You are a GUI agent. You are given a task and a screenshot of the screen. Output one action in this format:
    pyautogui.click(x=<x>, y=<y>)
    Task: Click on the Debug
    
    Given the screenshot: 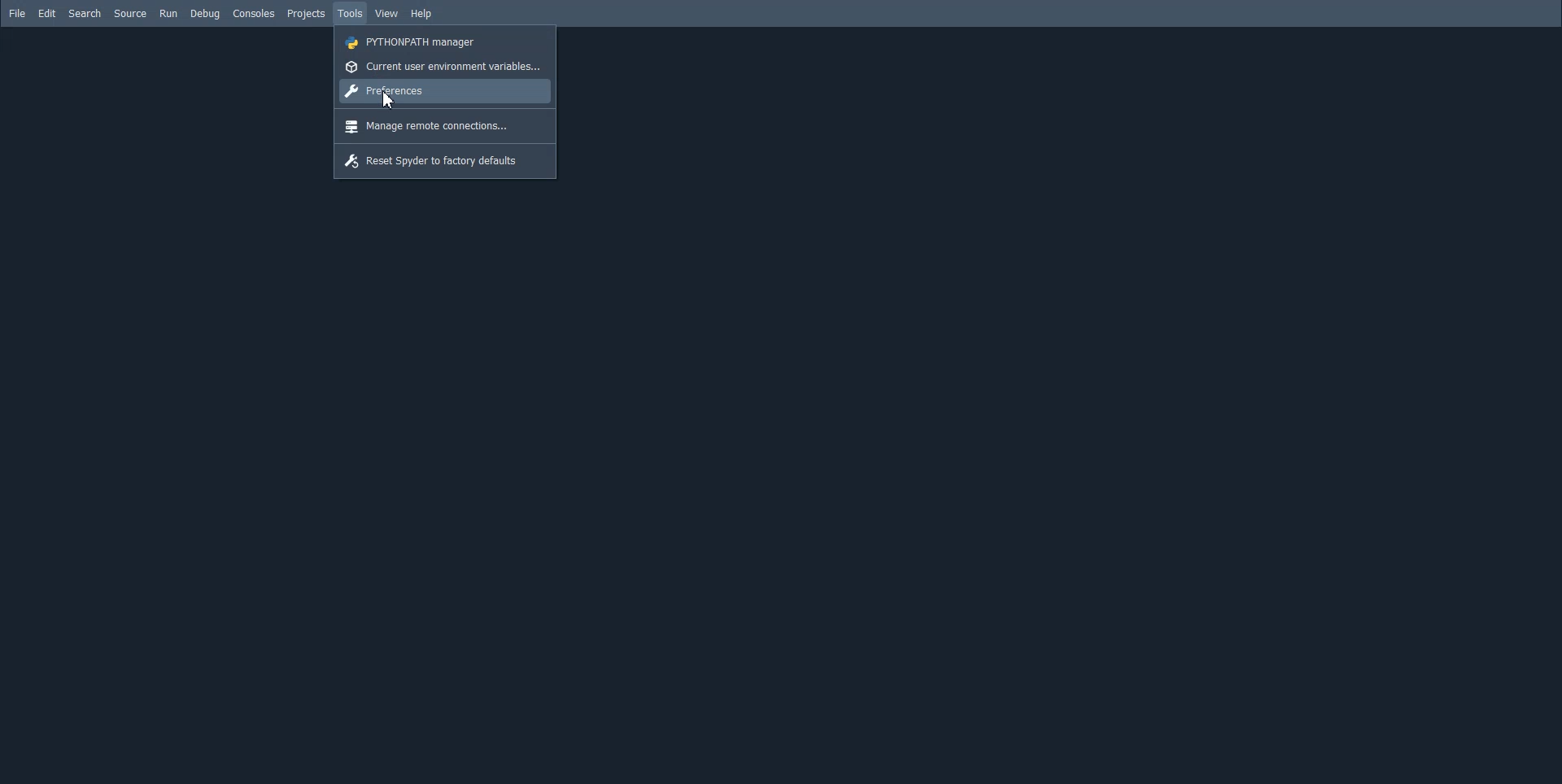 What is the action you would take?
    pyautogui.click(x=206, y=14)
    